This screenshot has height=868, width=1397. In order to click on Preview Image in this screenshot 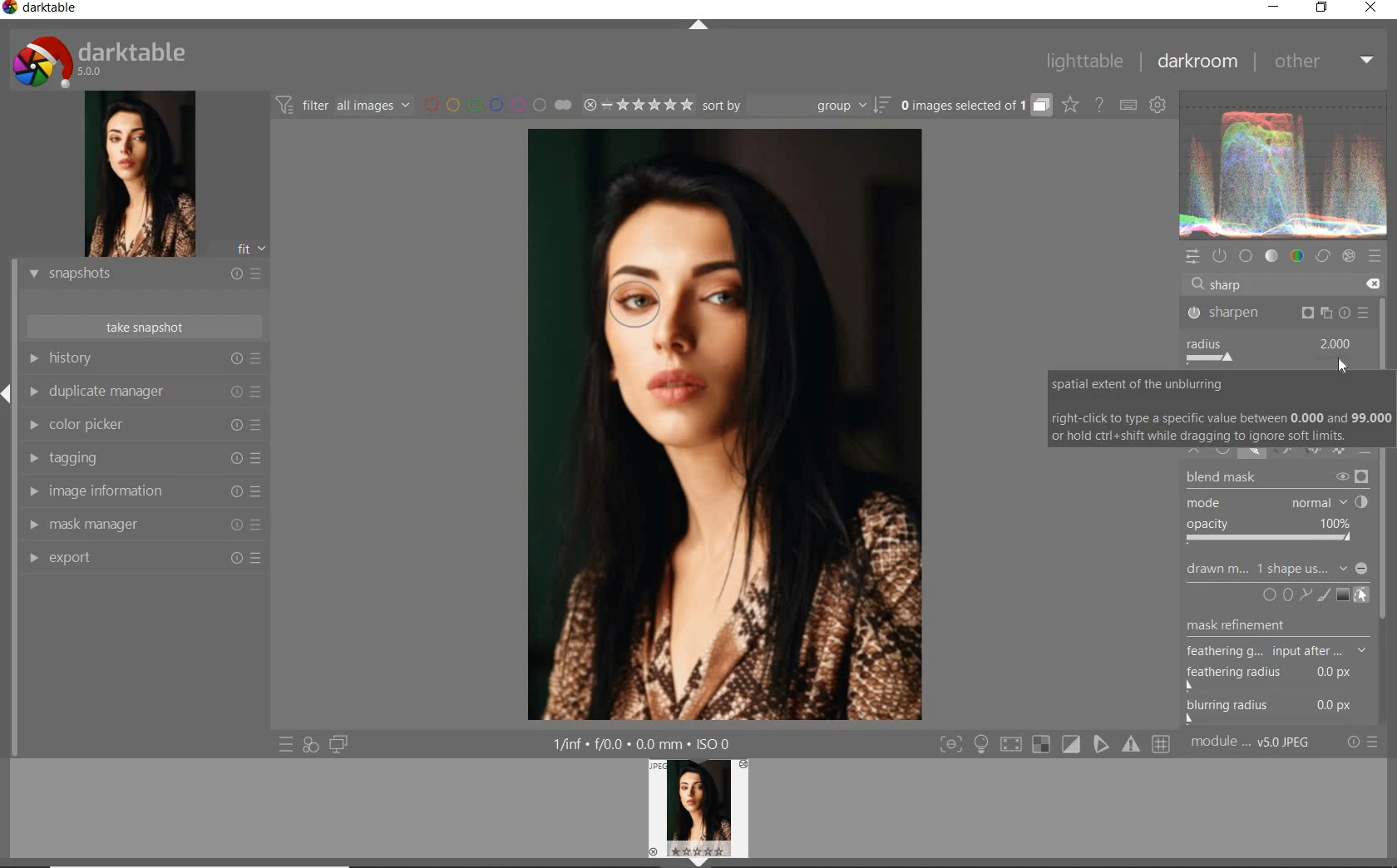, I will do `click(698, 808)`.